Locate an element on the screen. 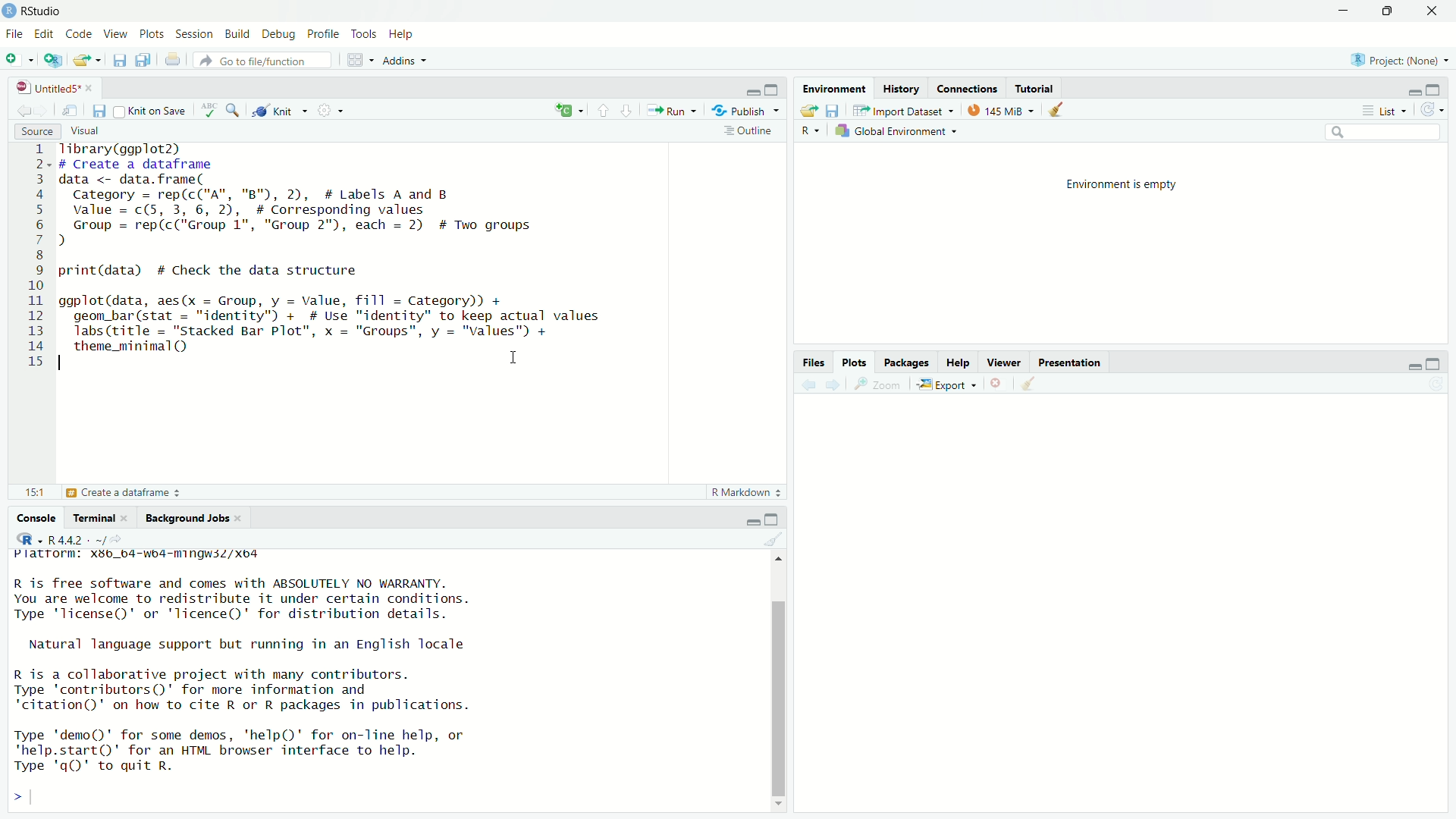 This screenshot has width=1456, height=819. Spell check is located at coordinates (208, 108).